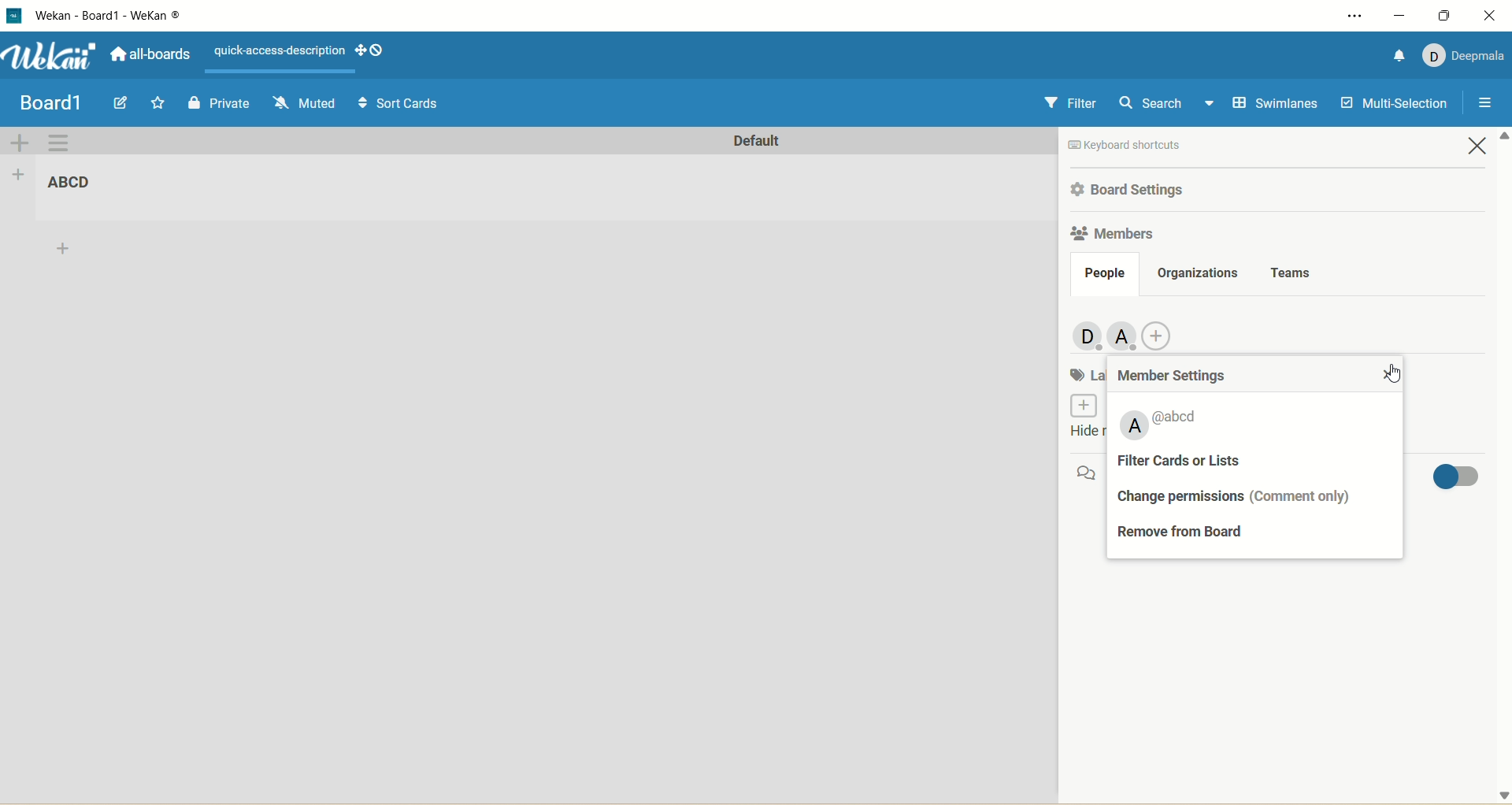  Describe the element at coordinates (220, 102) in the screenshot. I see `Private` at that location.